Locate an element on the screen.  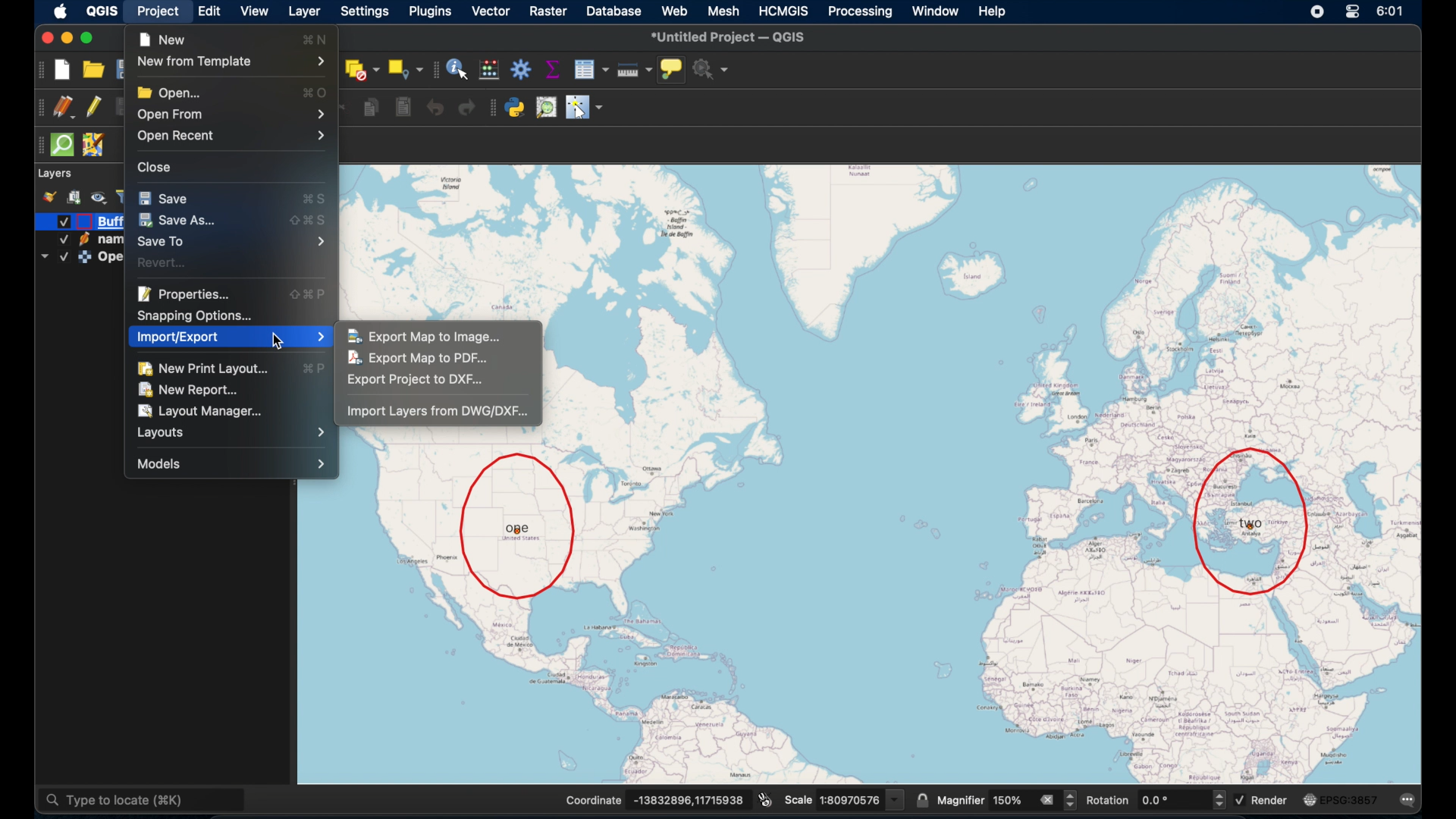
style manager is located at coordinates (51, 196).